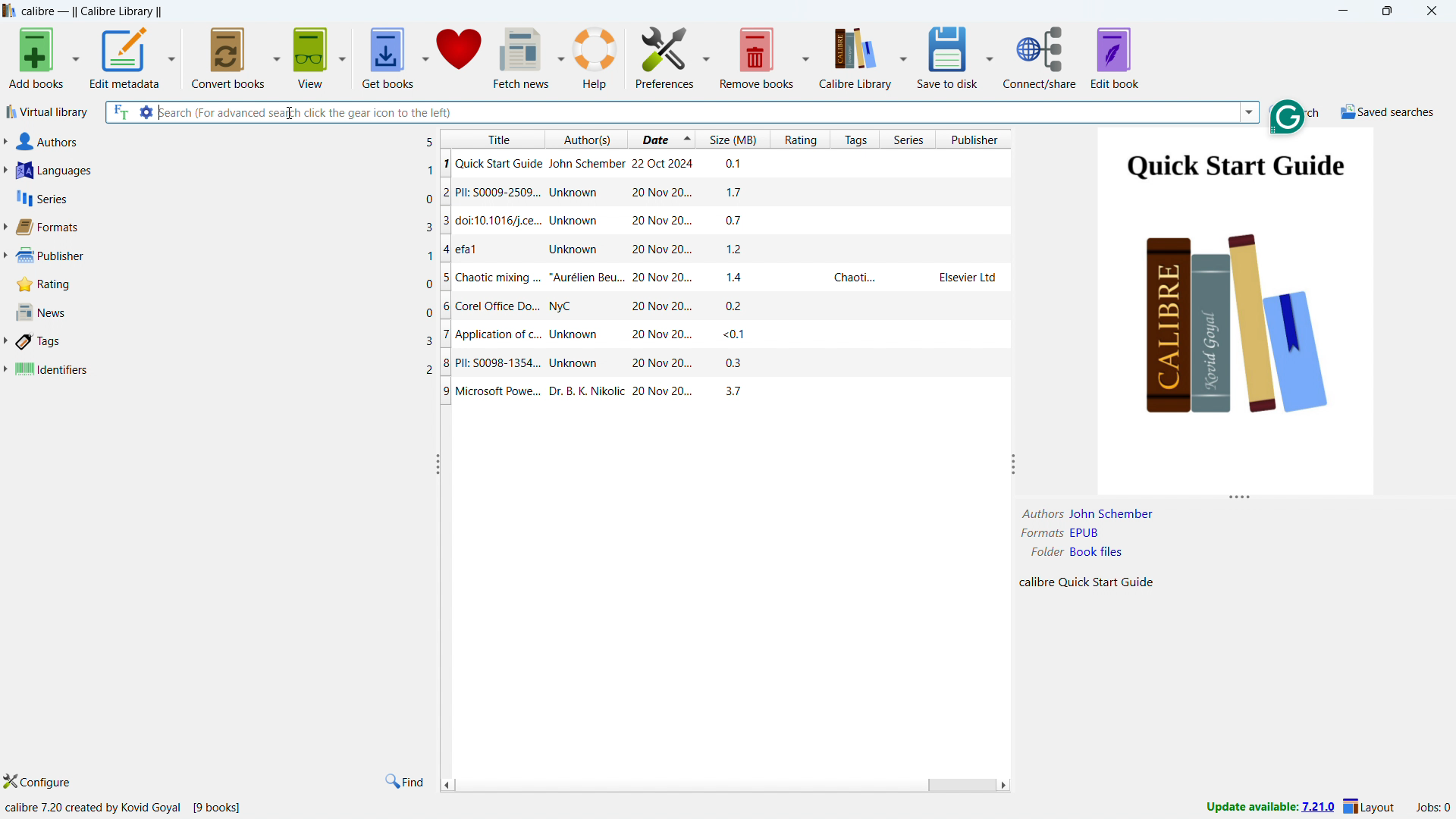 This screenshot has height=819, width=1456. I want to click on authors, so click(224, 142).